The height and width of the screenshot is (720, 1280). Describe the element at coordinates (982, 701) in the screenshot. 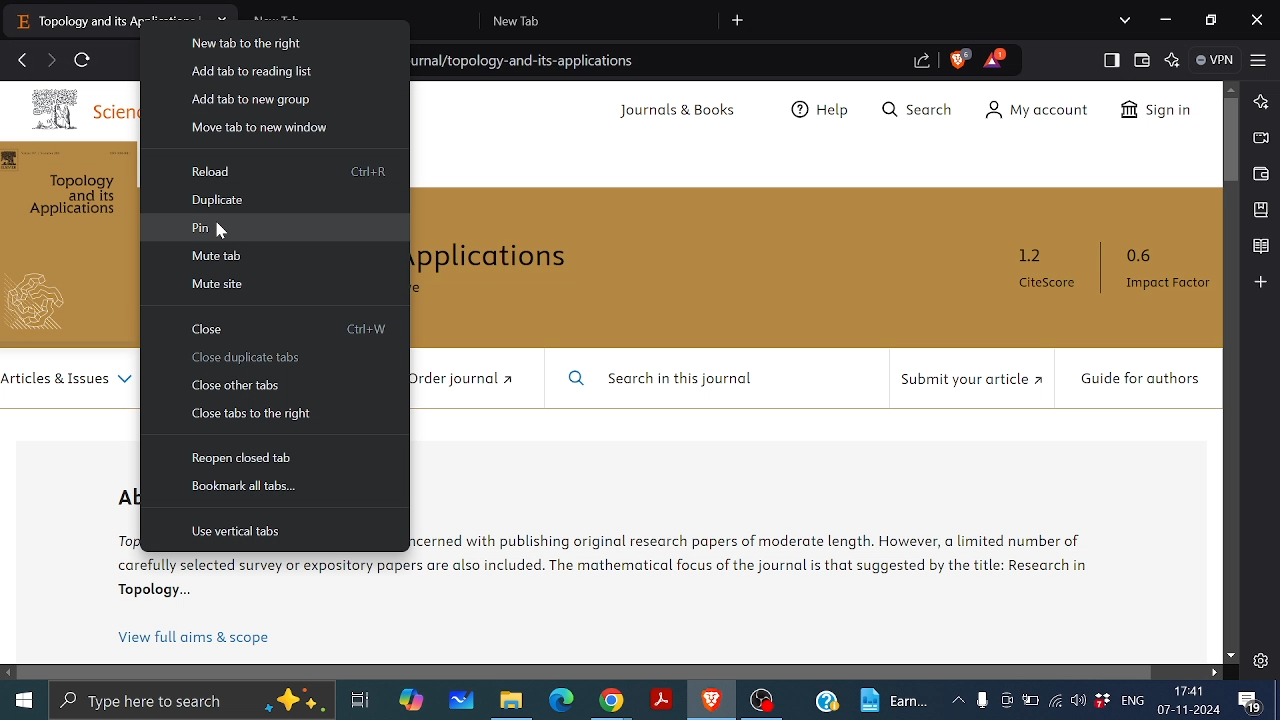

I see `Recorder` at that location.